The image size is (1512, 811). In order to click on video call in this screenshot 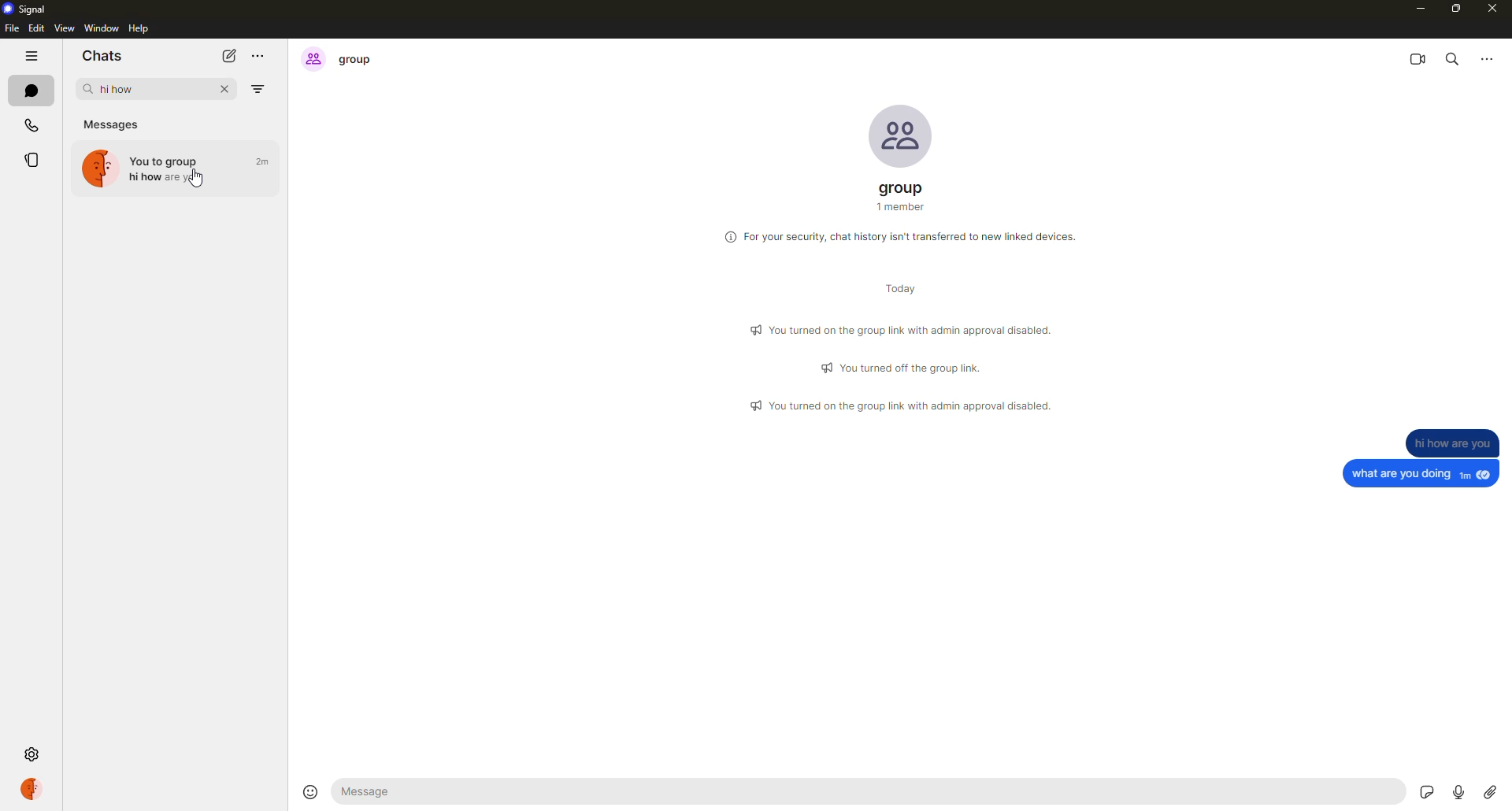, I will do `click(1418, 57)`.